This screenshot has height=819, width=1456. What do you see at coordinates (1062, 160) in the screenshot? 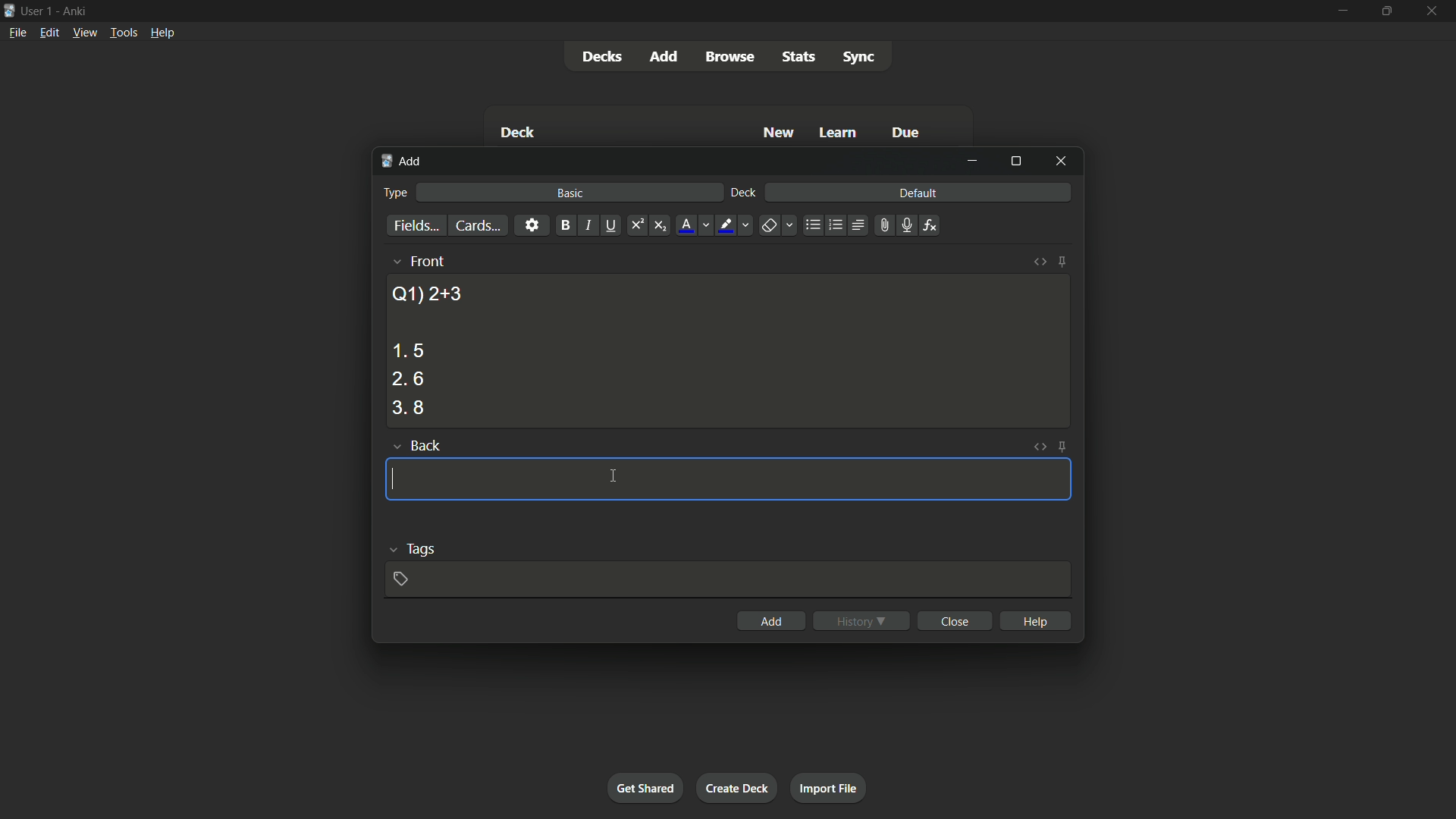
I see `close window` at bounding box center [1062, 160].